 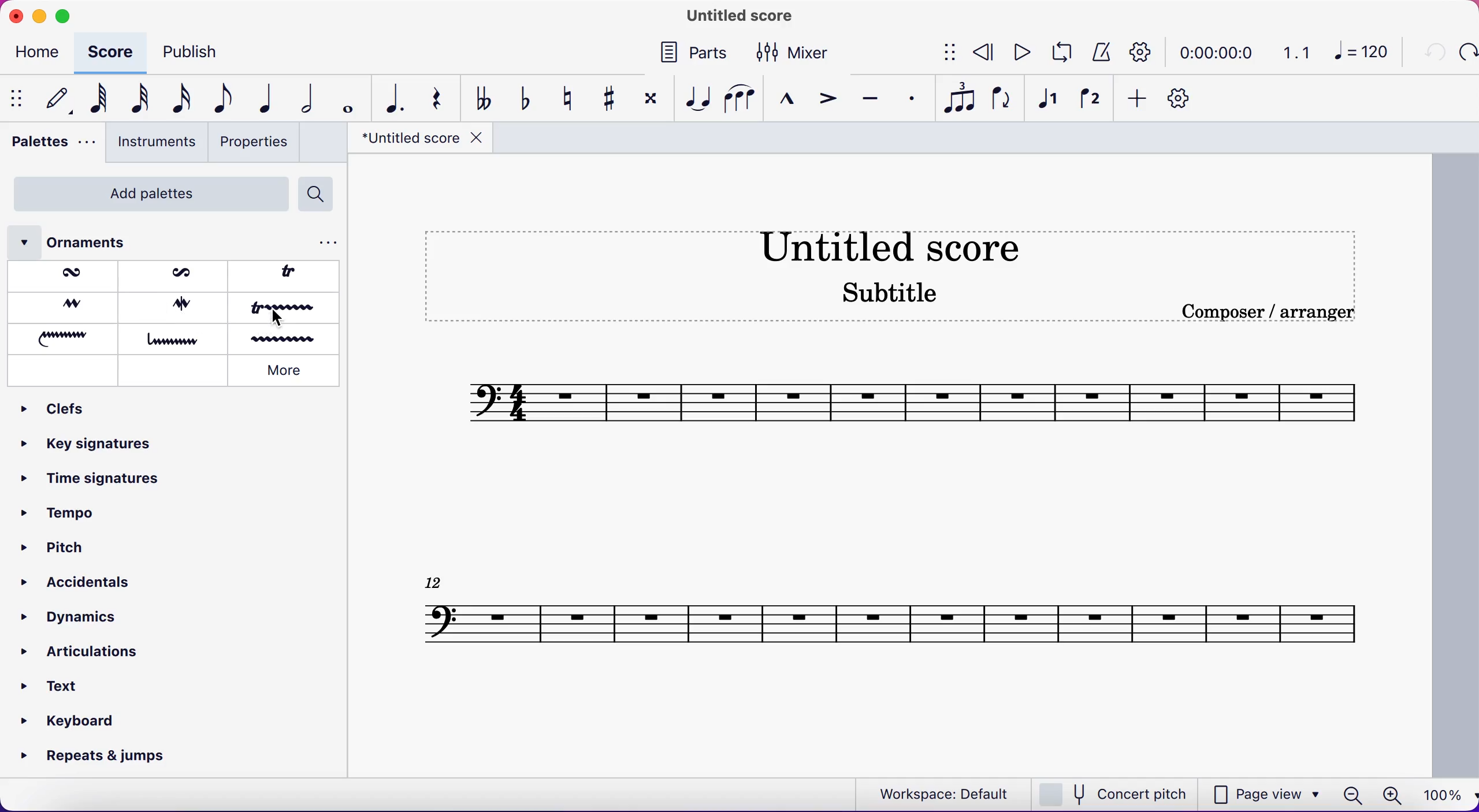 What do you see at coordinates (40, 54) in the screenshot?
I see `home` at bounding box center [40, 54].